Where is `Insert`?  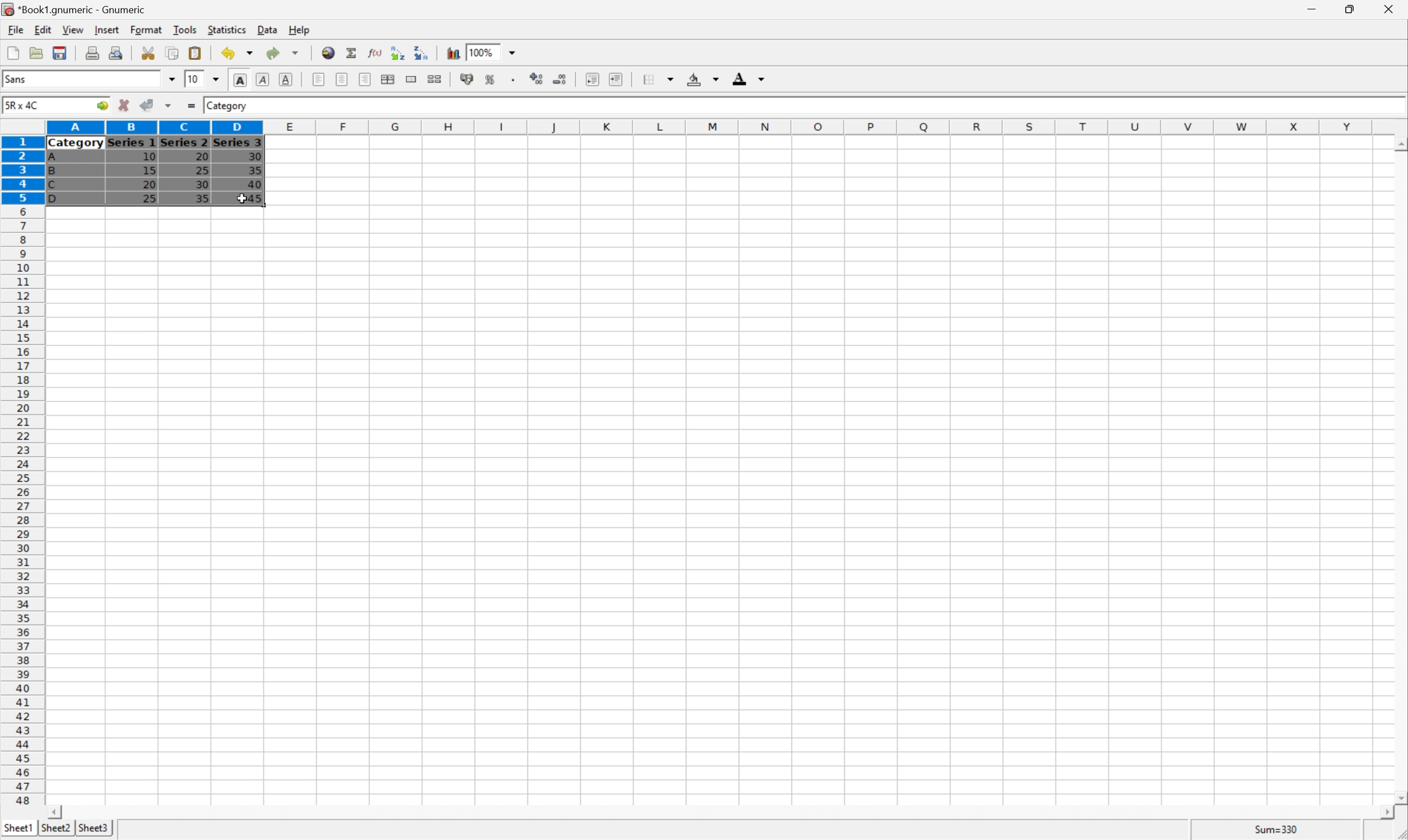
Insert is located at coordinates (108, 30).